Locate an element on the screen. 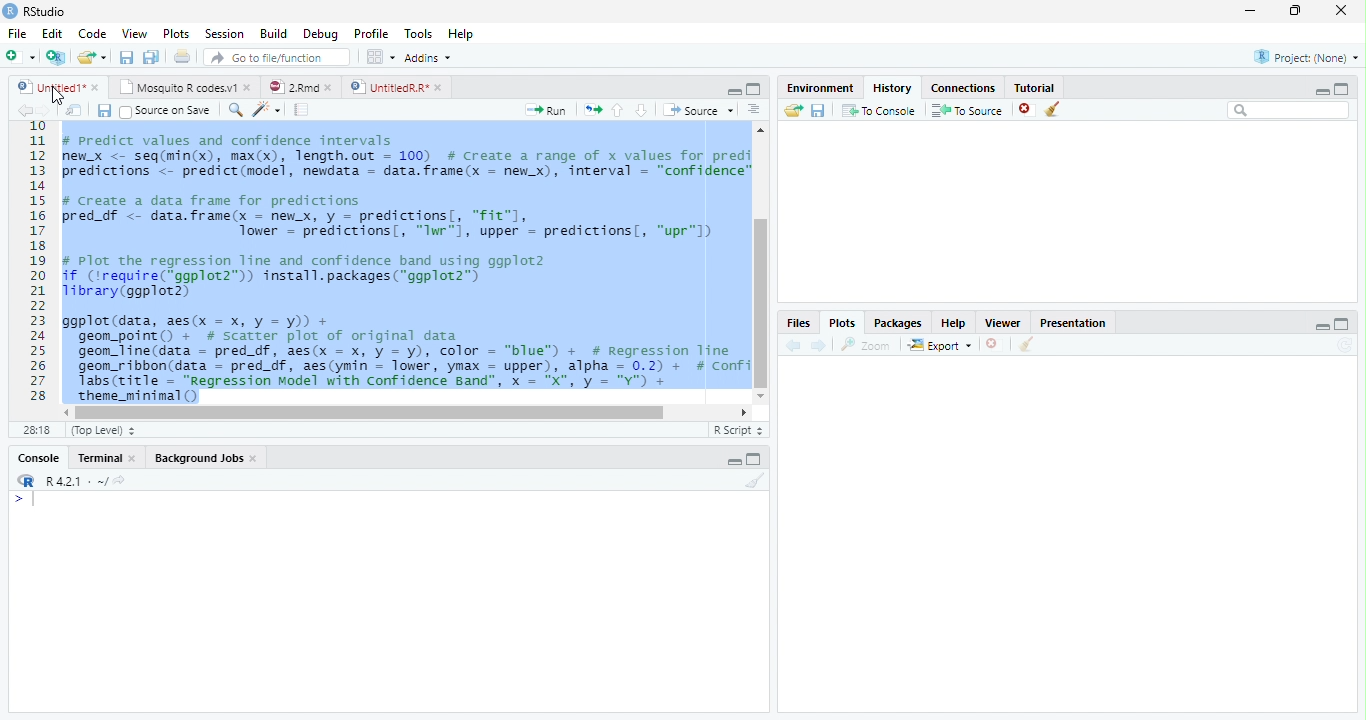  2 Rmd is located at coordinates (300, 85).